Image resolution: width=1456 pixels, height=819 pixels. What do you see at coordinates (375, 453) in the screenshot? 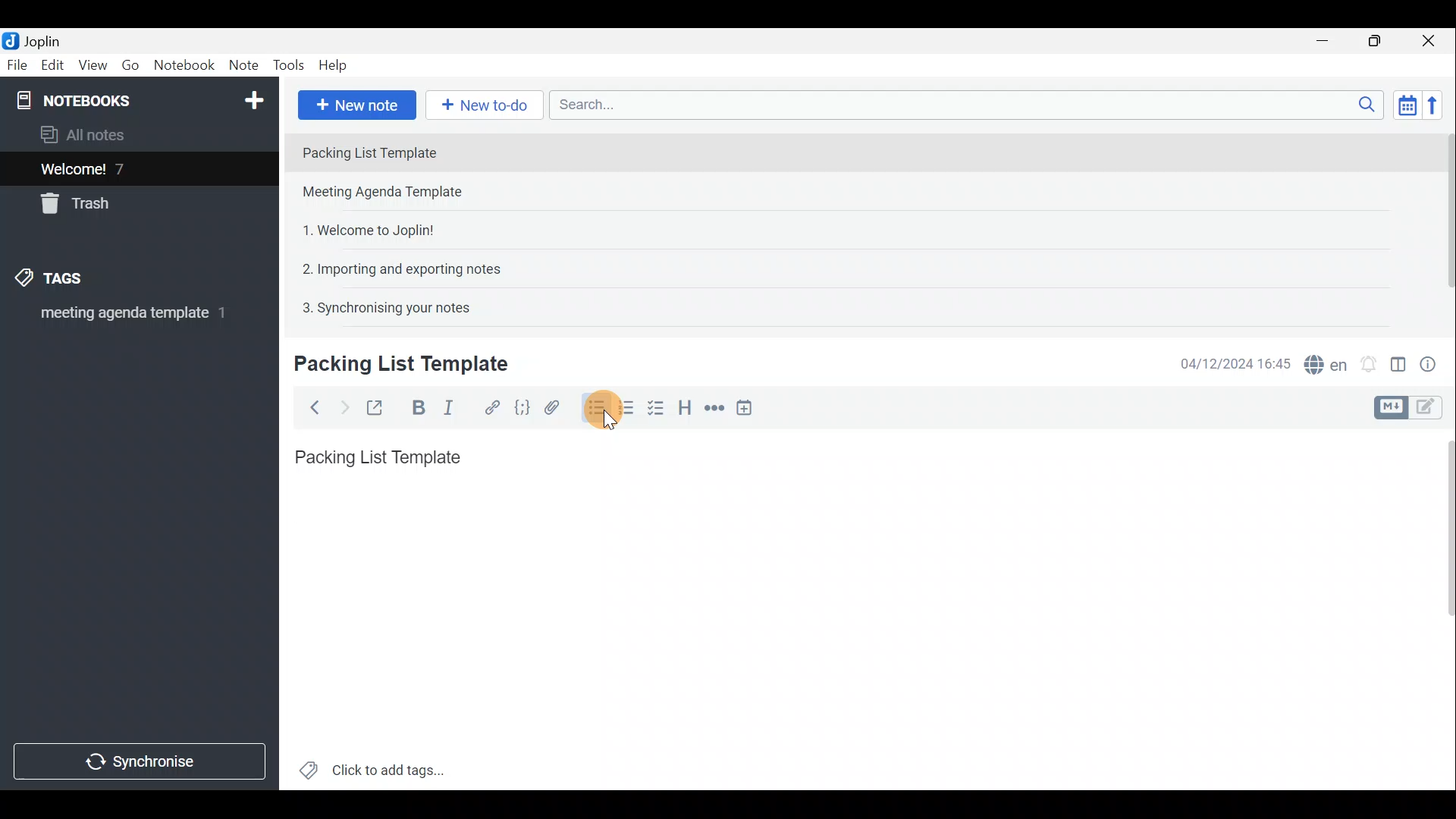
I see `Packing List Template` at bounding box center [375, 453].